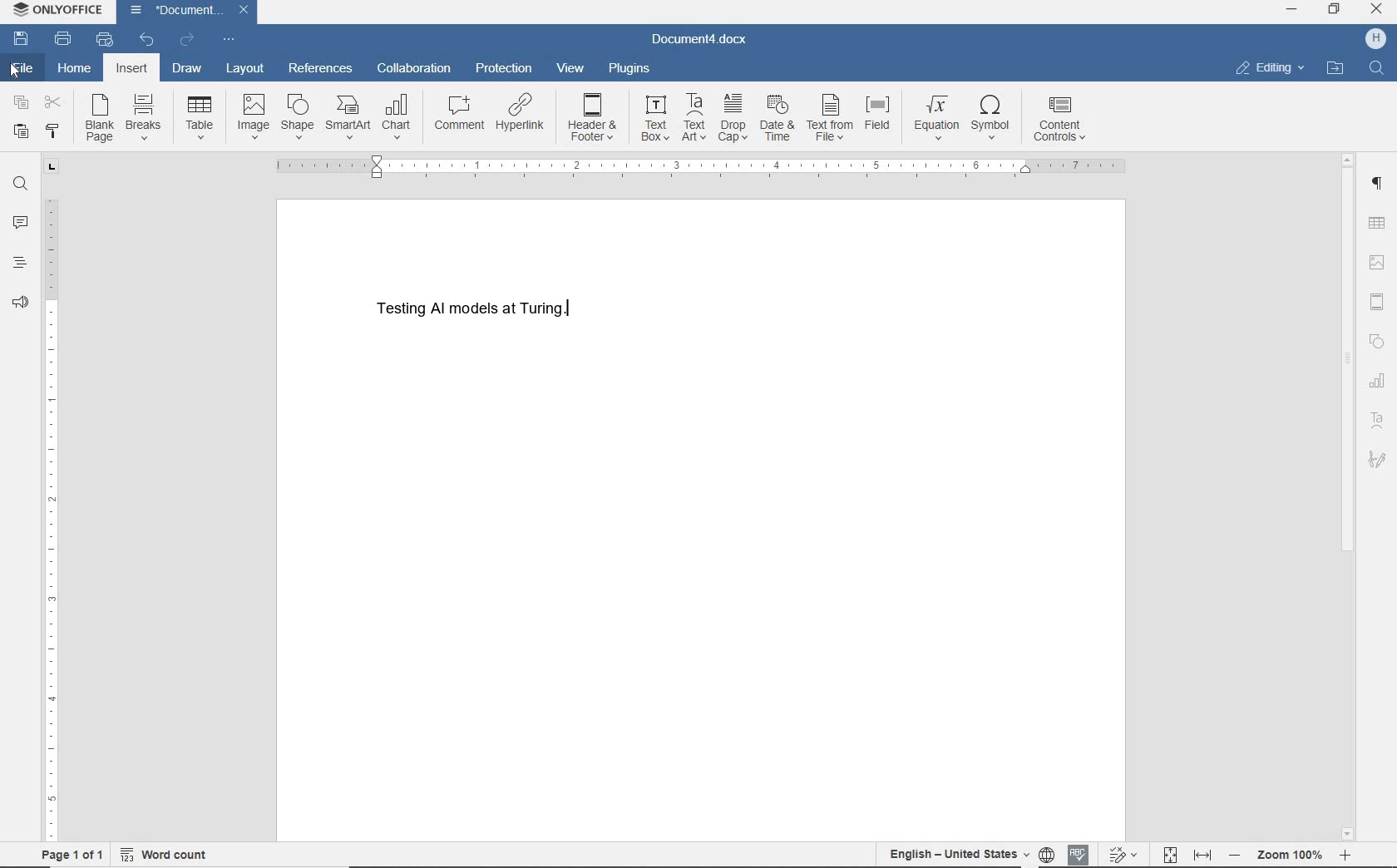 Image resolution: width=1397 pixels, height=868 pixels. What do you see at coordinates (699, 37) in the screenshot?
I see `Document4.docx(document name)` at bounding box center [699, 37].